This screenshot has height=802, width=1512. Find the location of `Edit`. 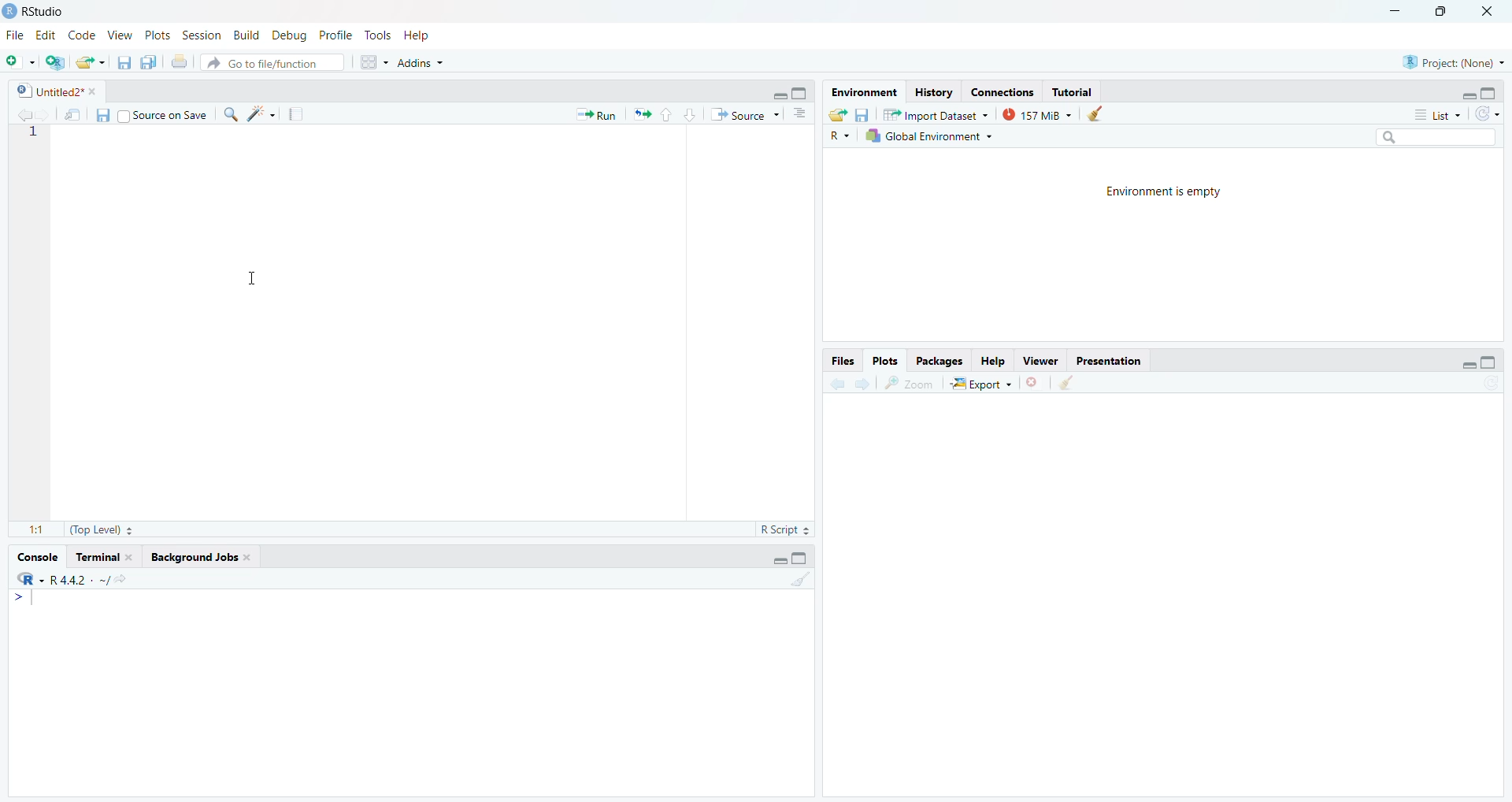

Edit is located at coordinates (46, 34).